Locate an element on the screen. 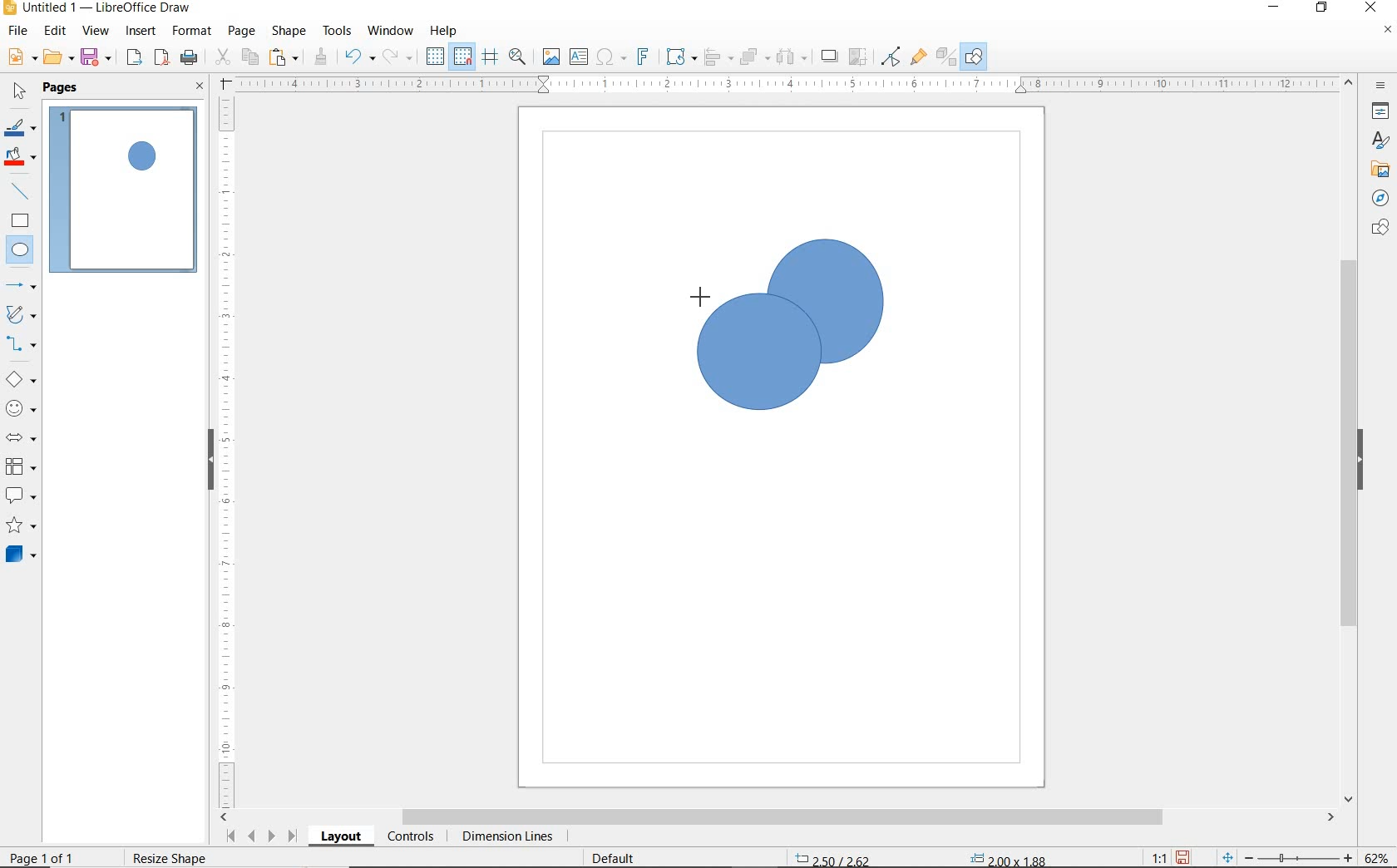 The image size is (1397, 868). cursor is located at coordinates (691, 289).